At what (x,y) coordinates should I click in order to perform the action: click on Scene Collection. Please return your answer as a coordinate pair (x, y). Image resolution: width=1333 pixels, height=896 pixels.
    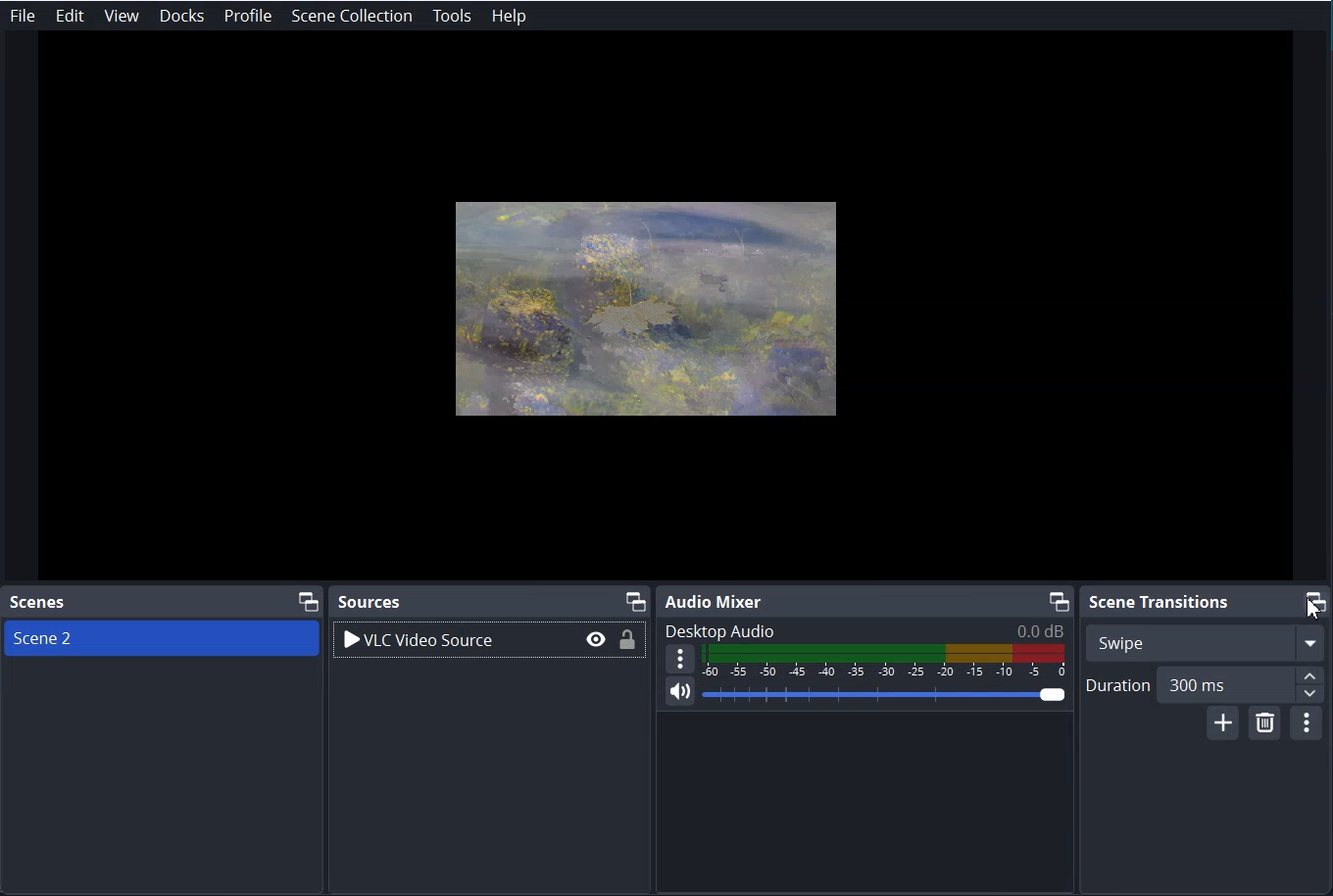
    Looking at the image, I should click on (351, 16).